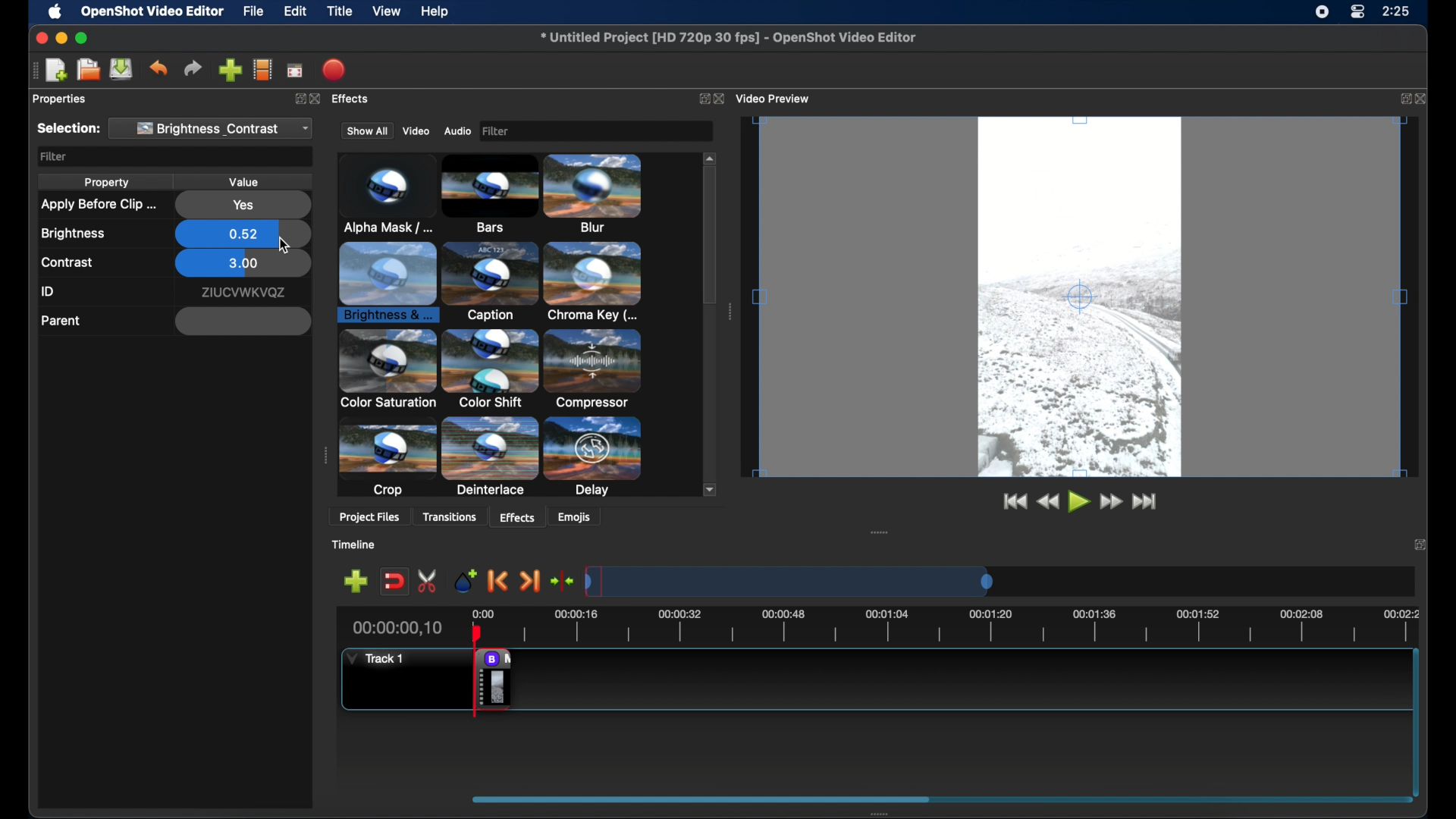  Describe the element at coordinates (598, 196) in the screenshot. I see `brightness and contrast highlighted` at that location.